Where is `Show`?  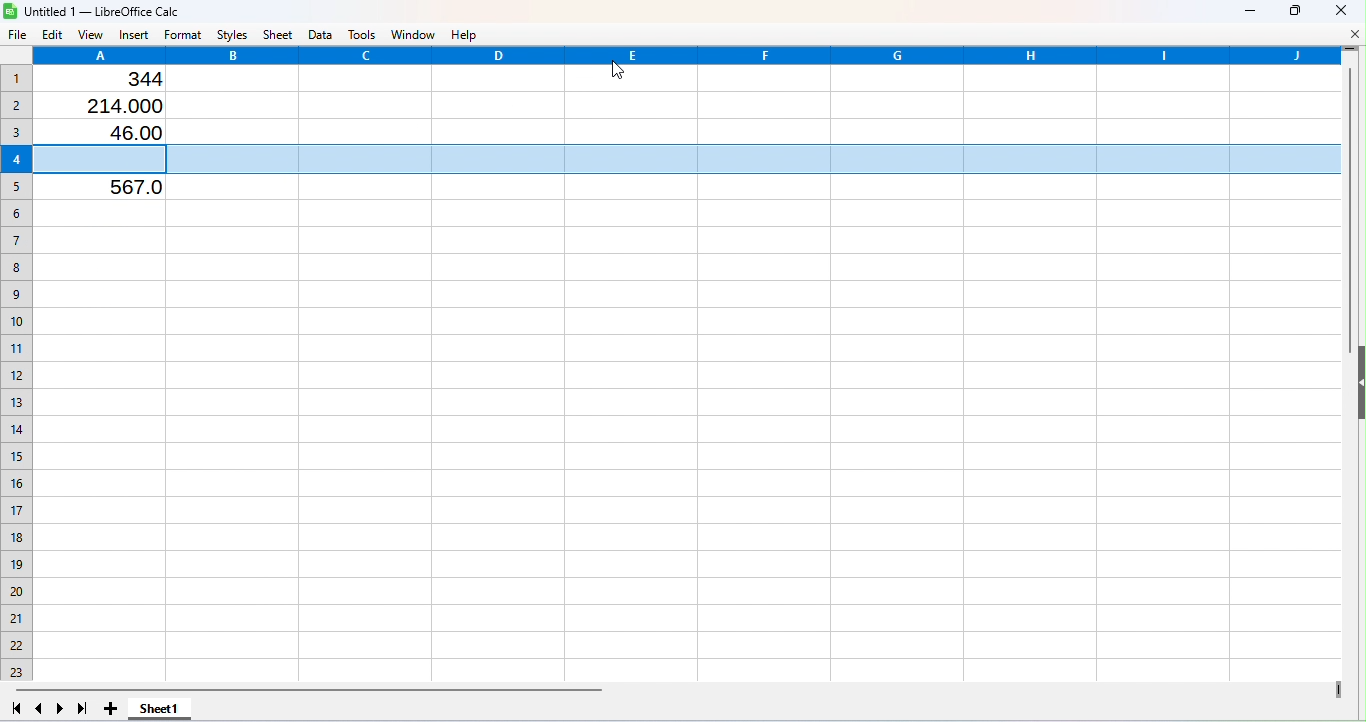
Show is located at coordinates (1358, 388).